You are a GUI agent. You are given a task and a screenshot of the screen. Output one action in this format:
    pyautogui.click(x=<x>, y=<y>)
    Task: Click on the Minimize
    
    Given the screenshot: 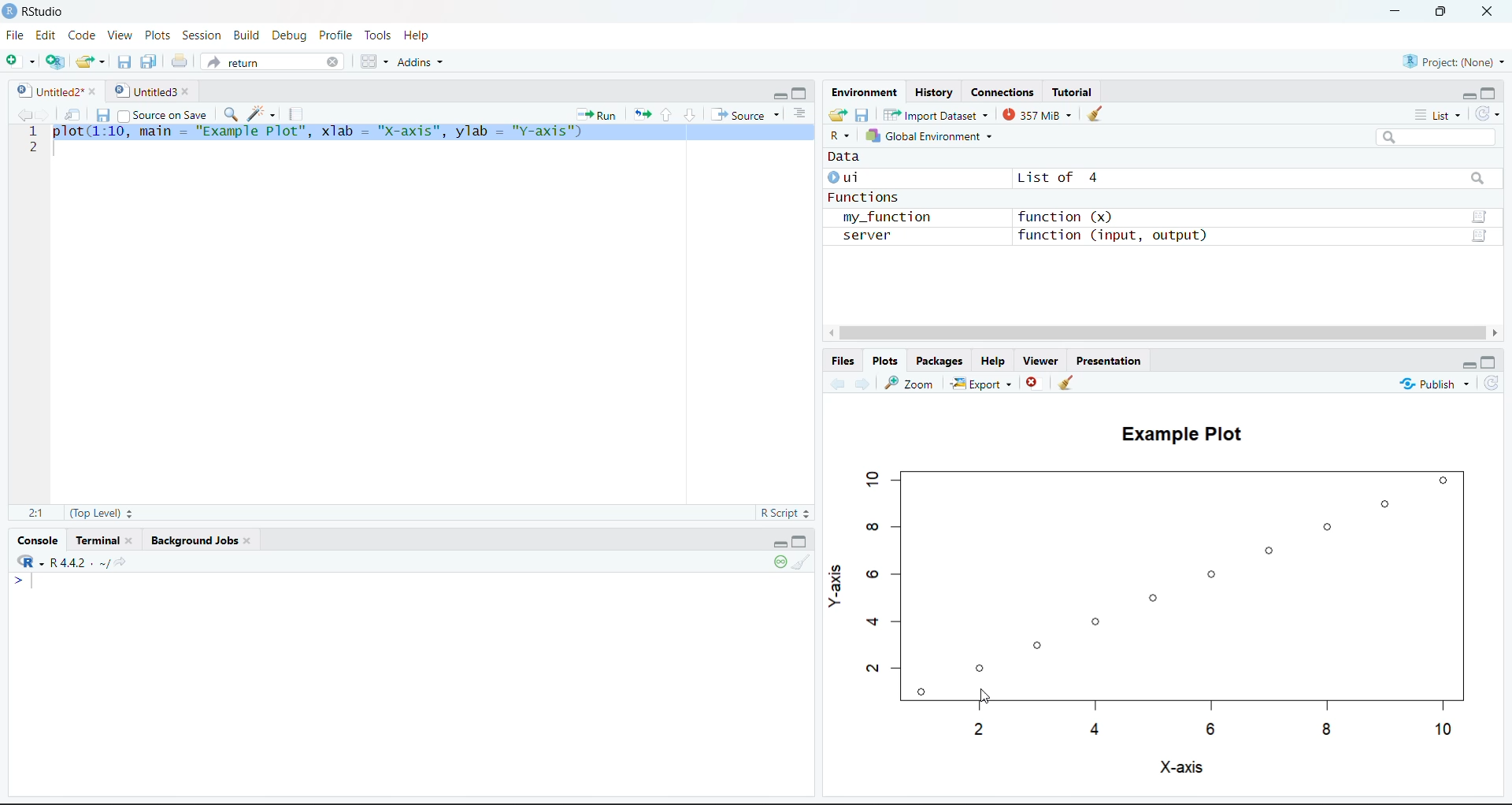 What is the action you would take?
    pyautogui.click(x=1467, y=95)
    